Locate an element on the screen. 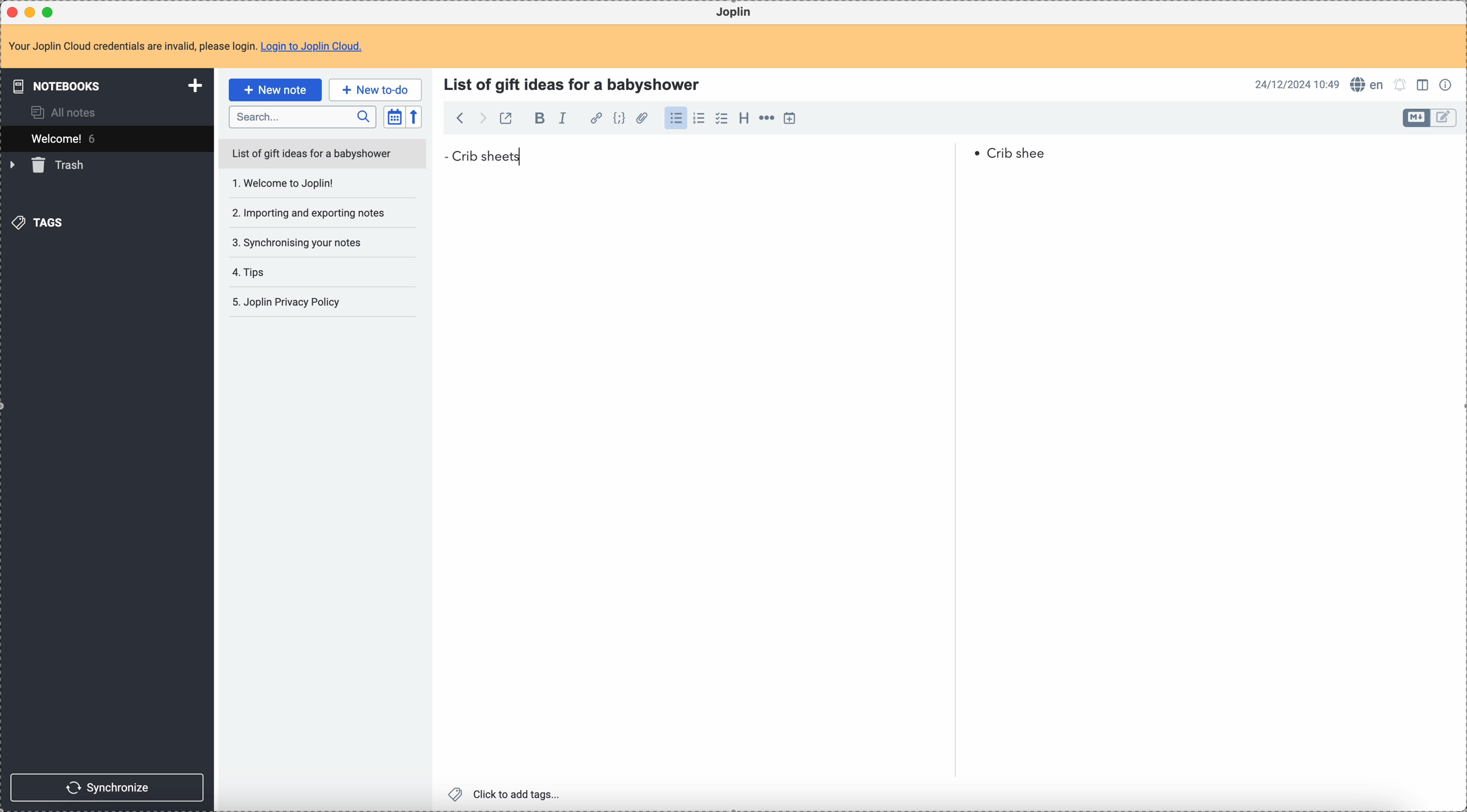 The width and height of the screenshot is (1467, 812). synchronising your notes is located at coordinates (306, 243).